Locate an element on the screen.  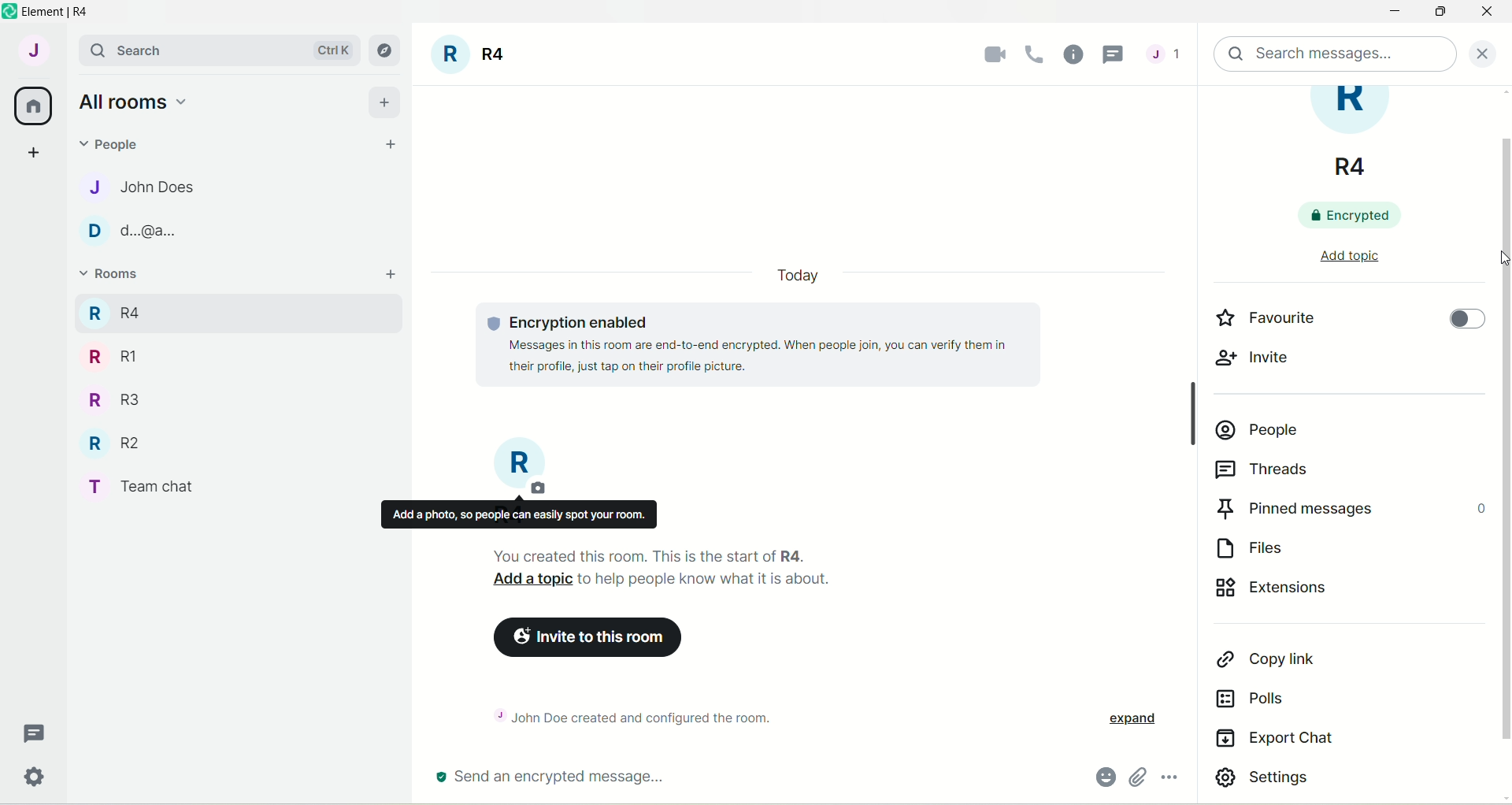
room title is located at coordinates (521, 467).